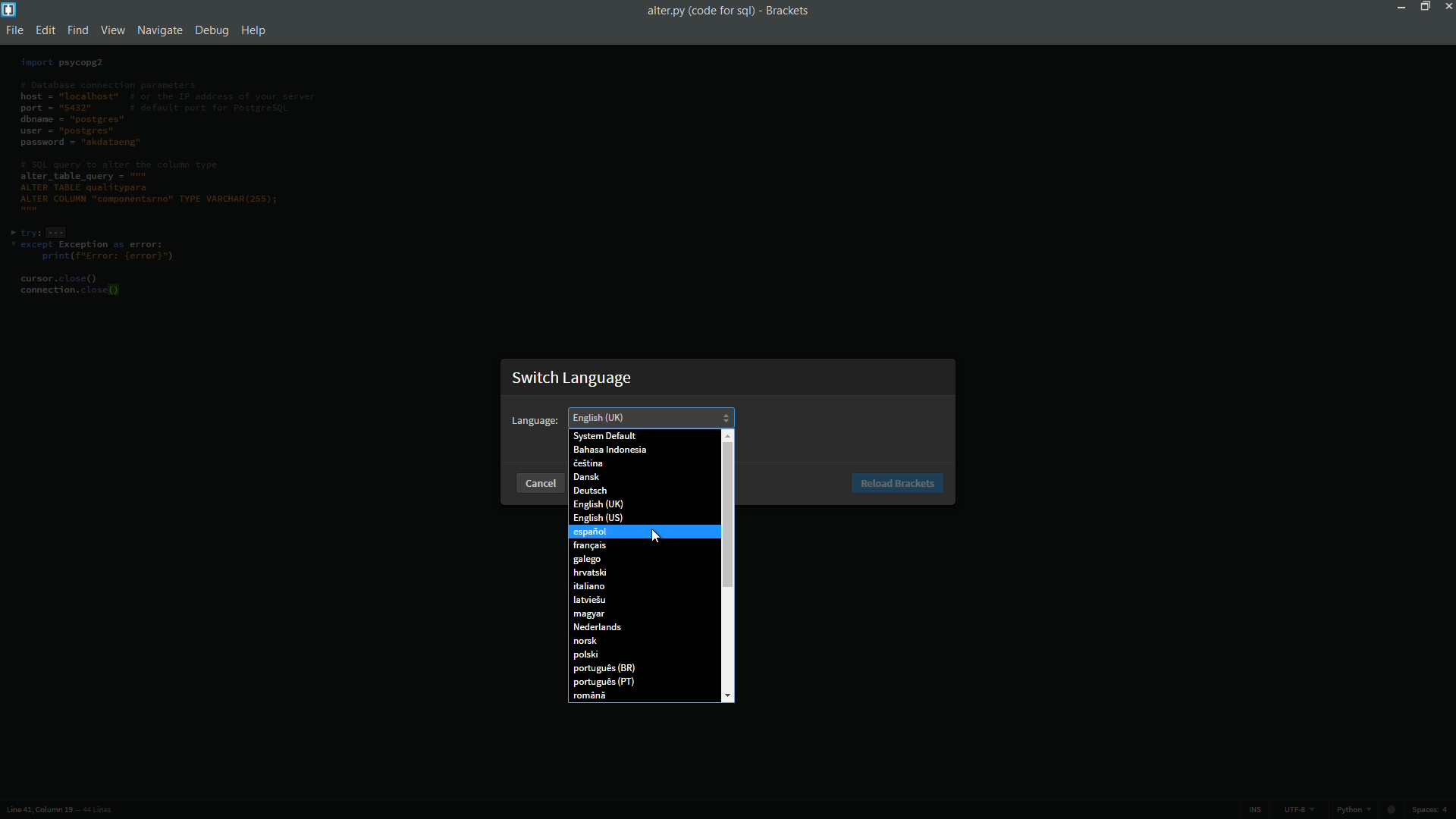 This screenshot has width=1456, height=819. Describe the element at coordinates (645, 641) in the screenshot. I see `norsk` at that location.